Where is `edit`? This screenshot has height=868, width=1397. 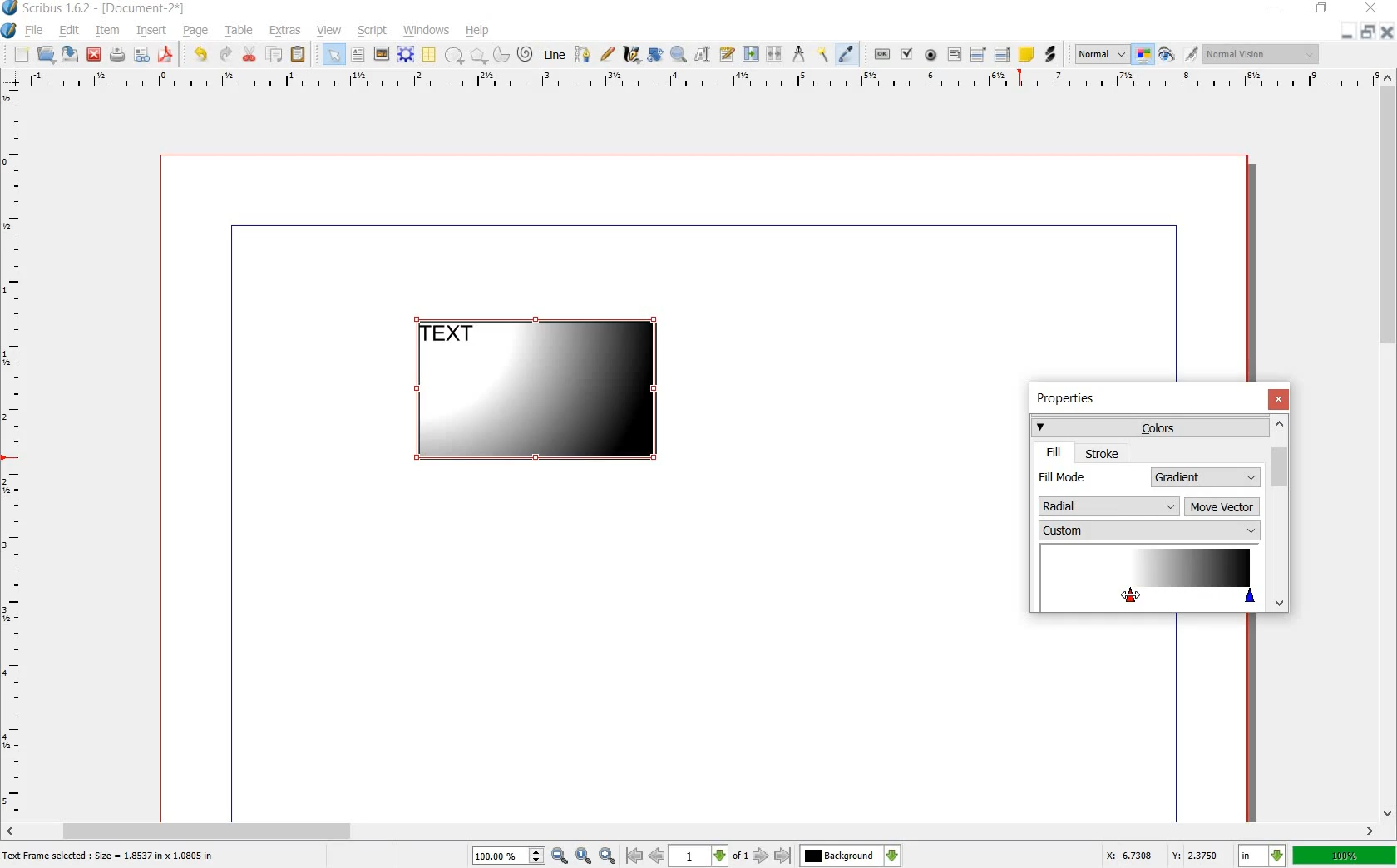 edit is located at coordinates (70, 31).